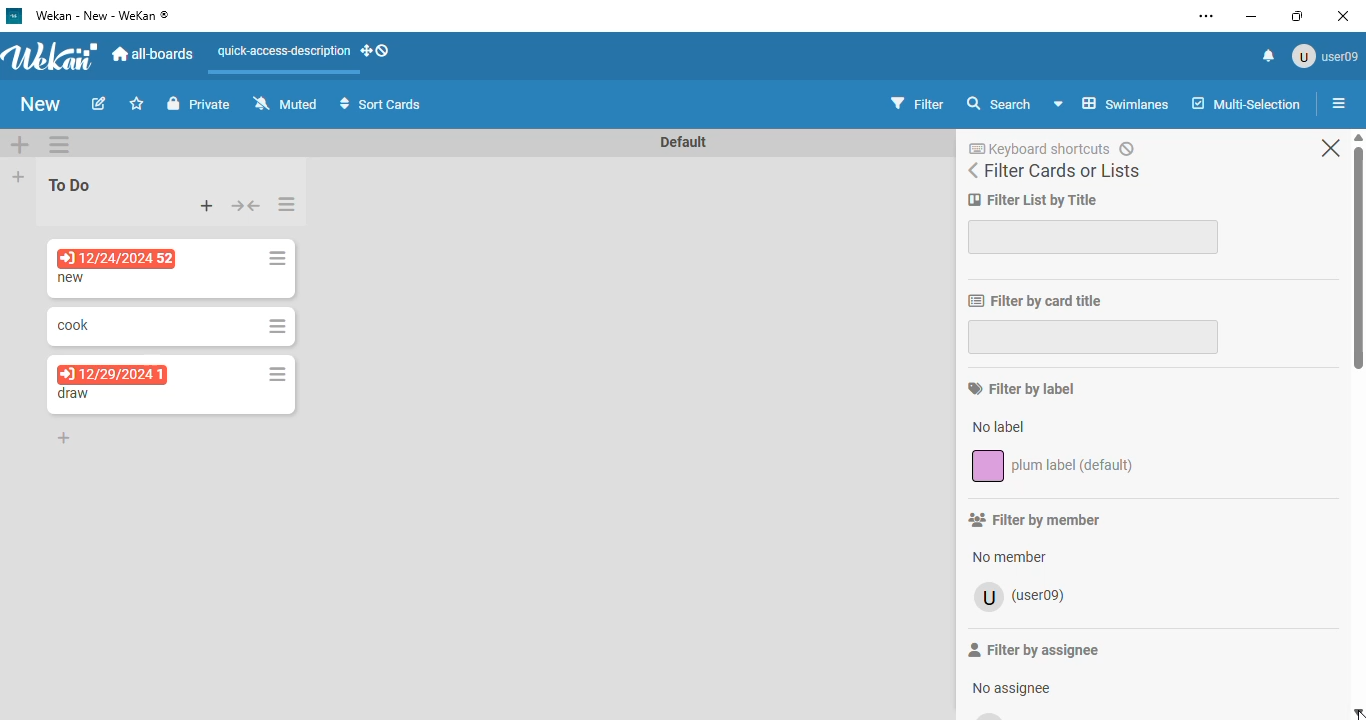 This screenshot has height=720, width=1366. Describe the element at coordinates (918, 104) in the screenshot. I see `filter` at that location.